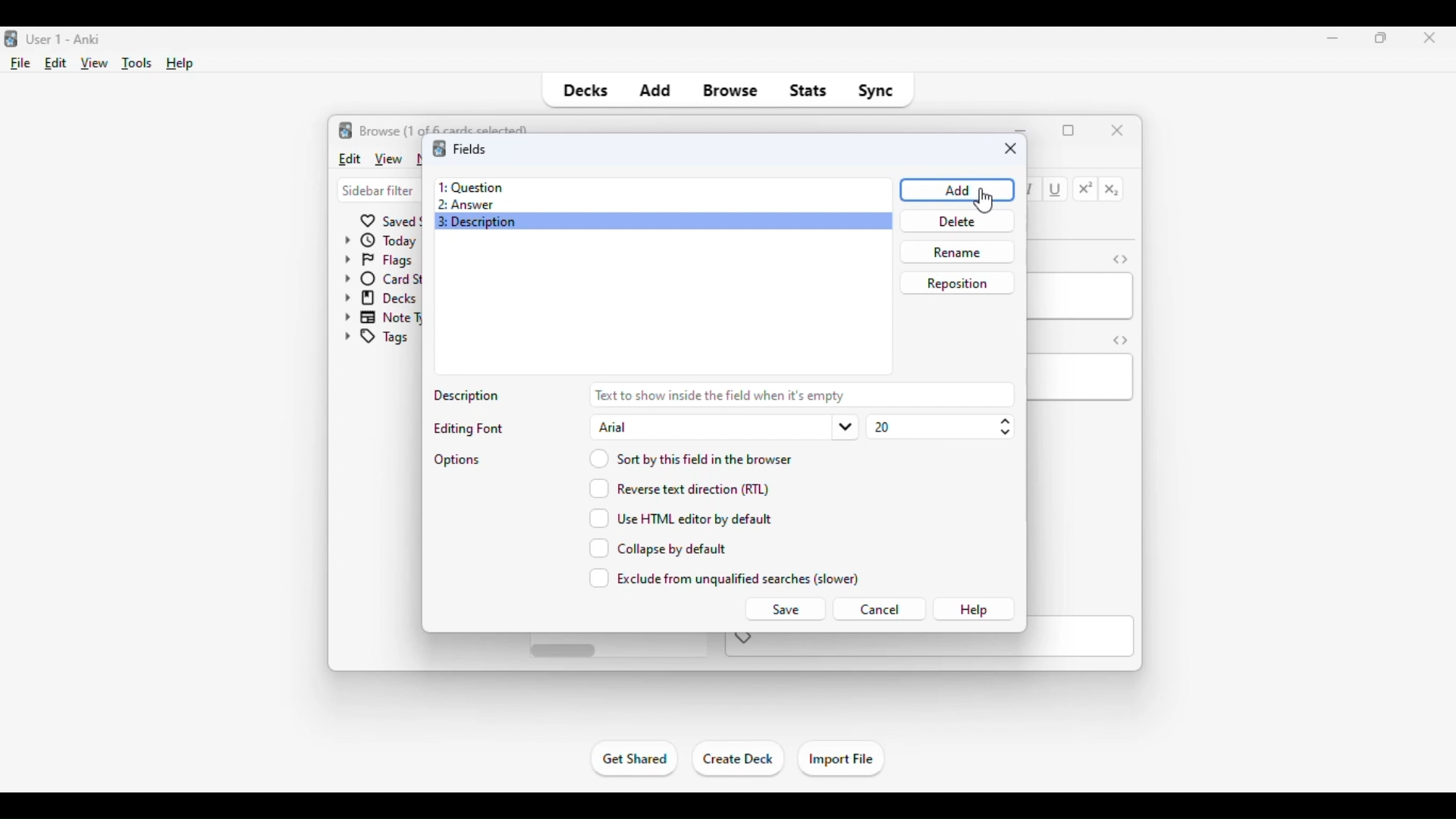 This screenshot has width=1456, height=819. Describe the element at coordinates (21, 64) in the screenshot. I see `file` at that location.